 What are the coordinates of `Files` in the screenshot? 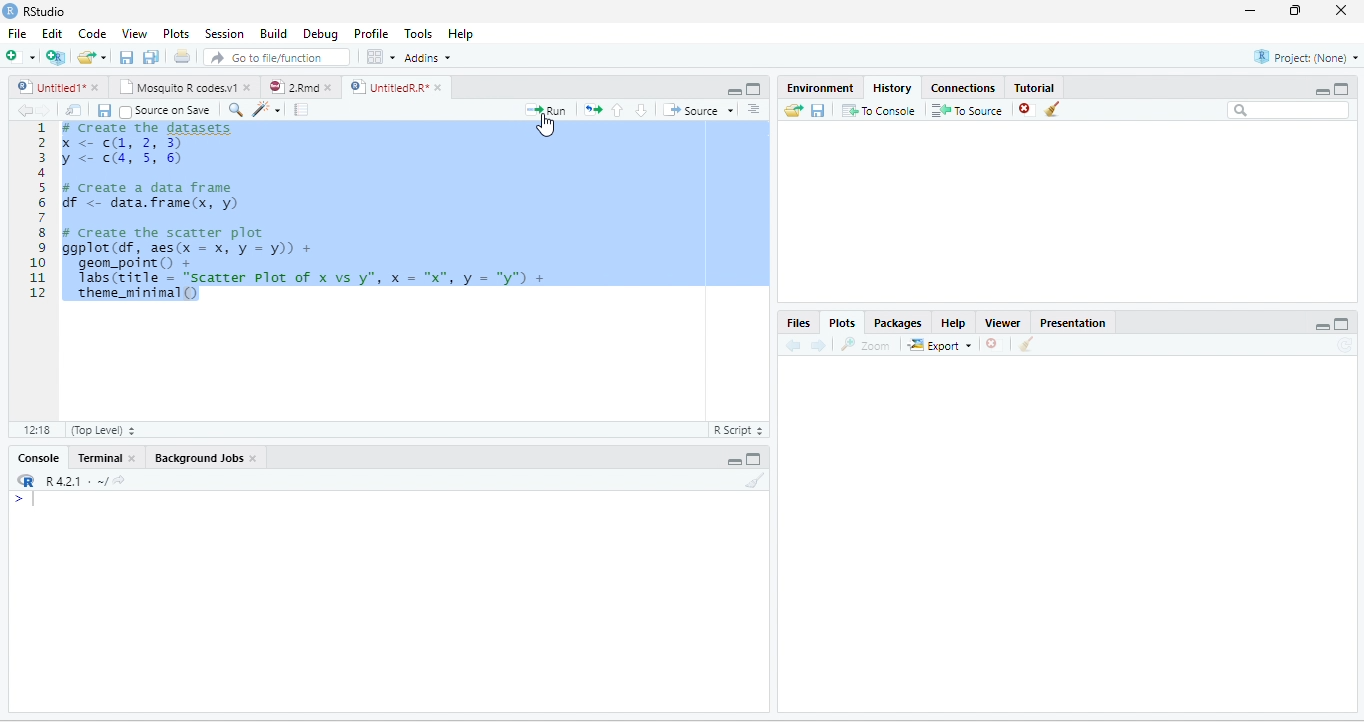 It's located at (798, 322).